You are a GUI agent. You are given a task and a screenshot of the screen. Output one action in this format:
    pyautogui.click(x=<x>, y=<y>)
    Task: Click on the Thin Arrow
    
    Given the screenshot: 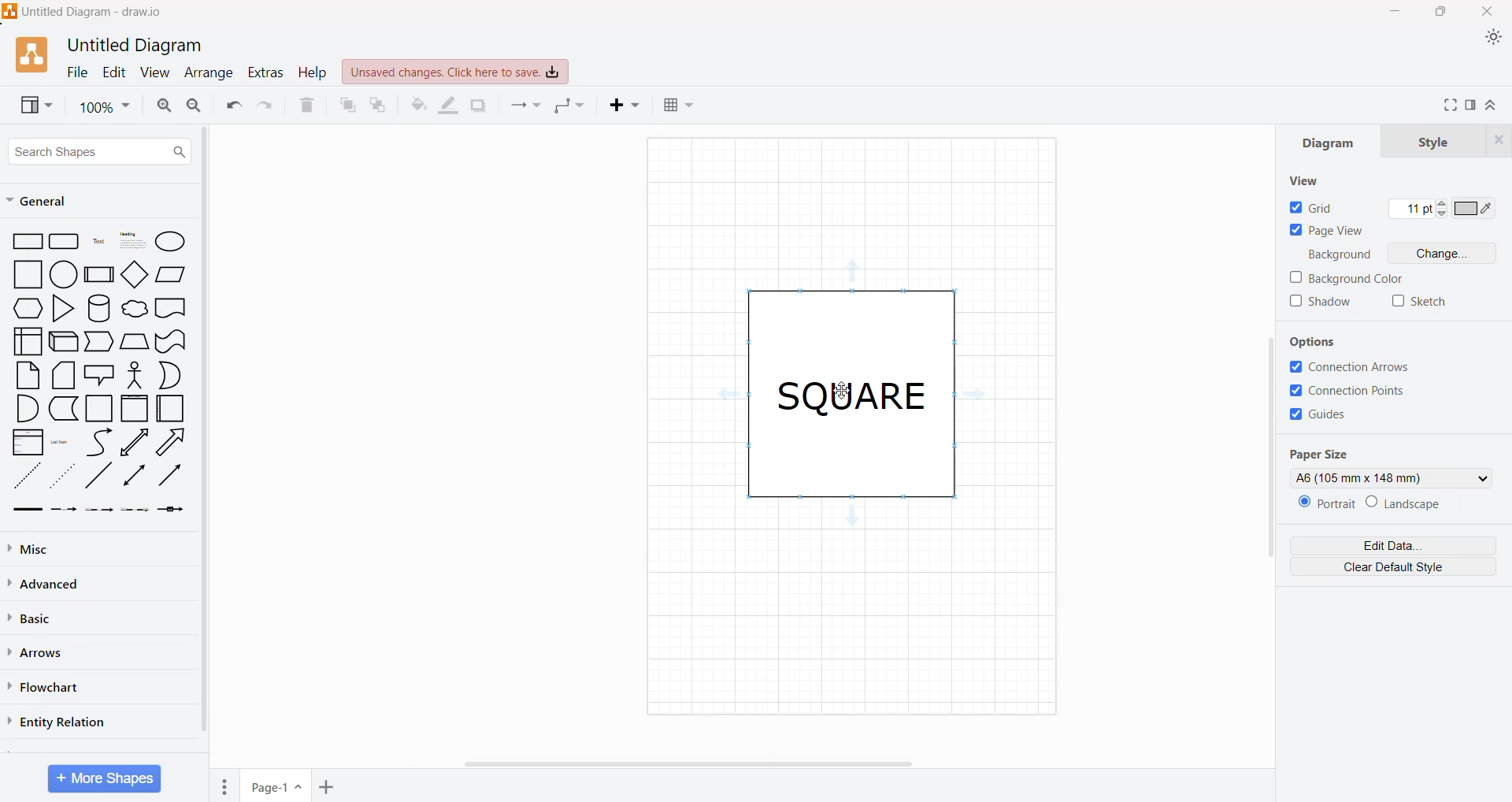 What is the action you would take?
    pyautogui.click(x=98, y=510)
    